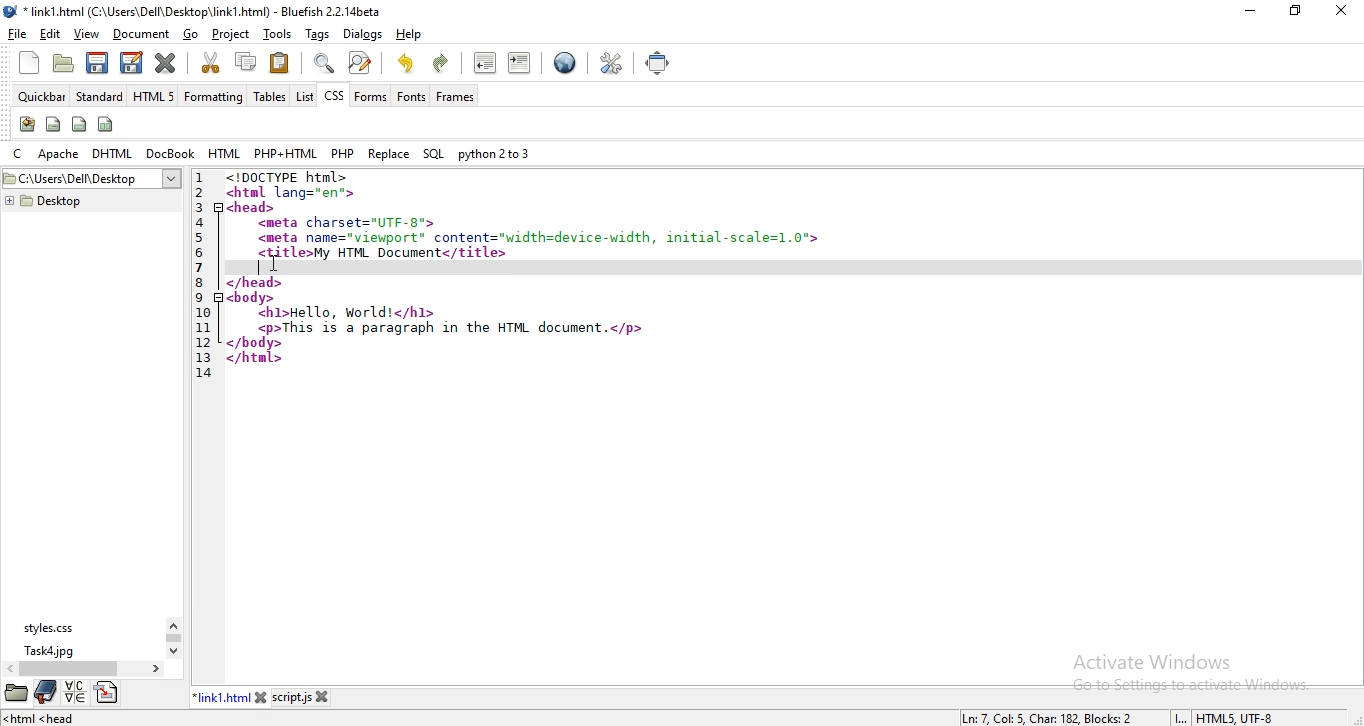 Image resolution: width=1364 pixels, height=726 pixels. Describe the element at coordinates (303, 95) in the screenshot. I see `list` at that location.